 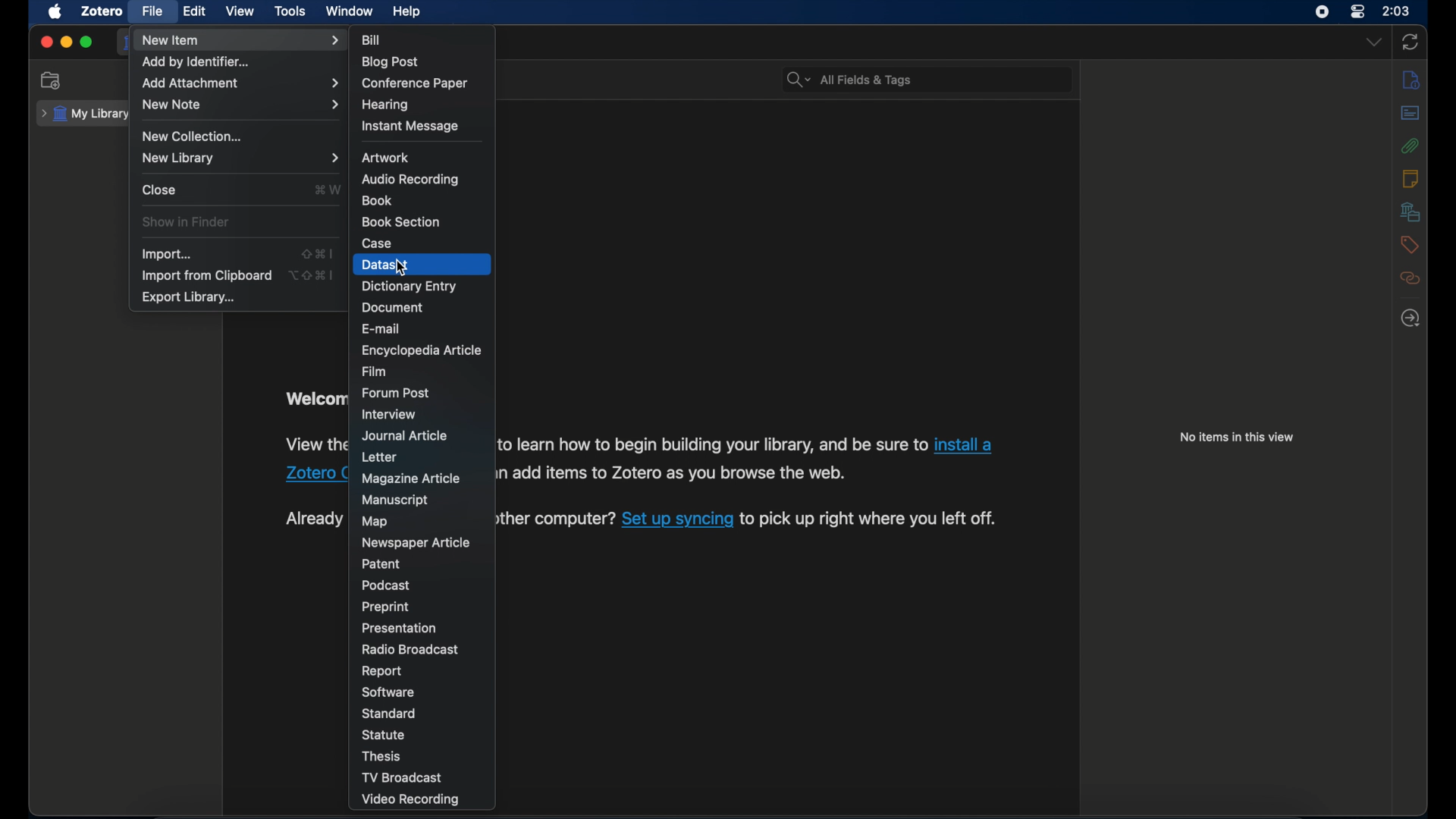 I want to click on shortcut, so click(x=312, y=275).